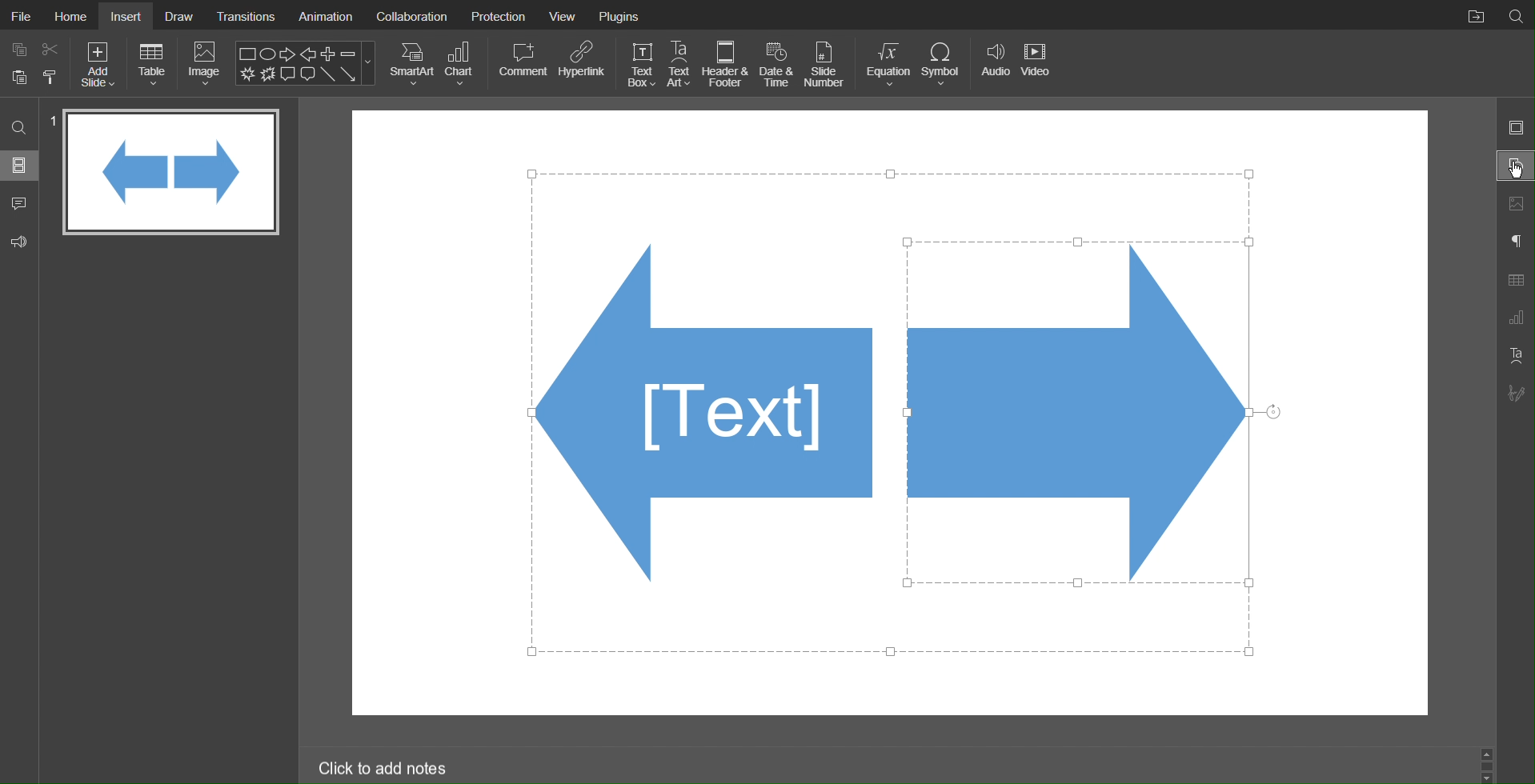 Image resolution: width=1535 pixels, height=784 pixels. What do you see at coordinates (1488, 776) in the screenshot?
I see `down` at bounding box center [1488, 776].